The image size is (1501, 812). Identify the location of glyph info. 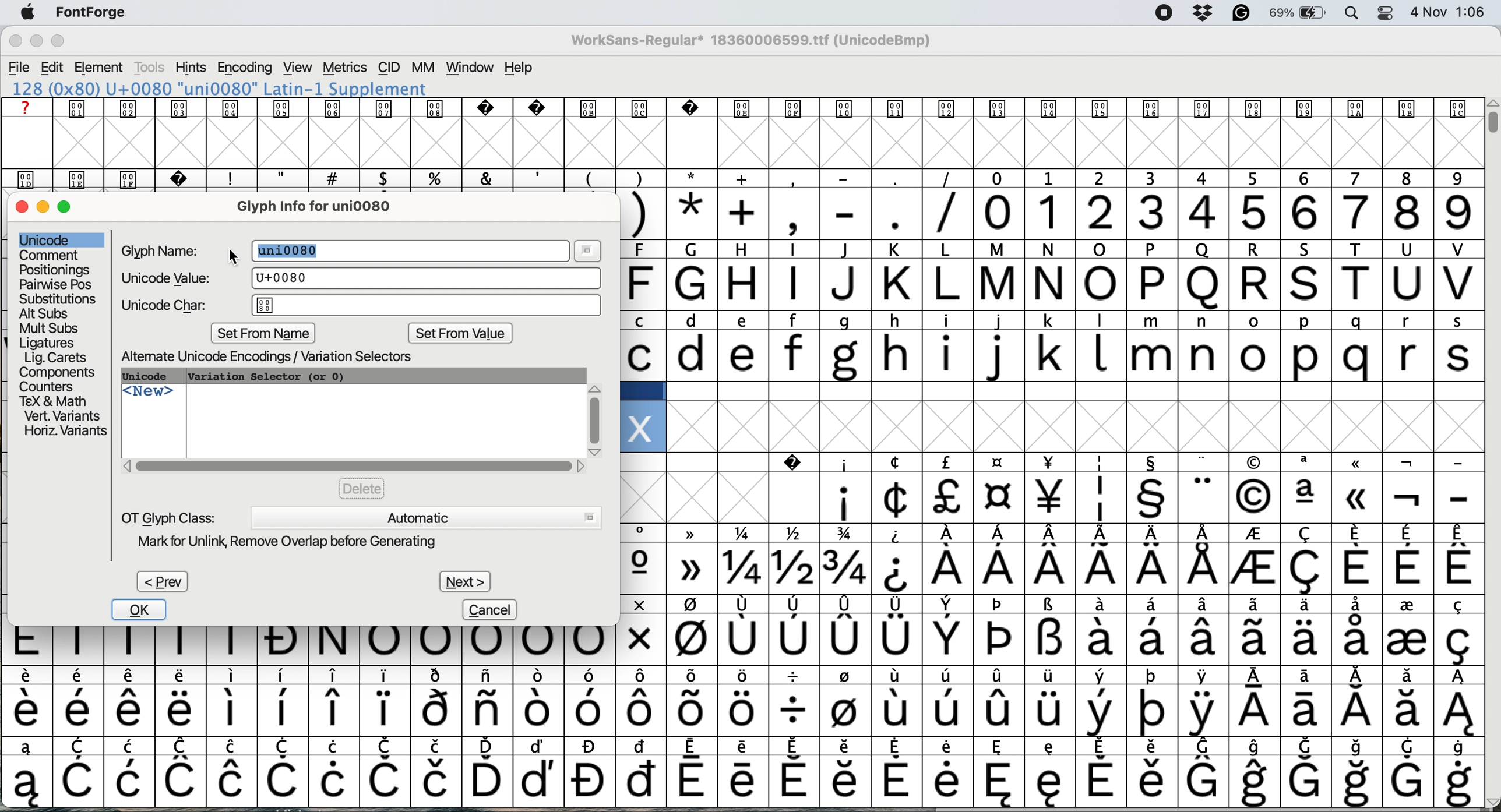
(325, 206).